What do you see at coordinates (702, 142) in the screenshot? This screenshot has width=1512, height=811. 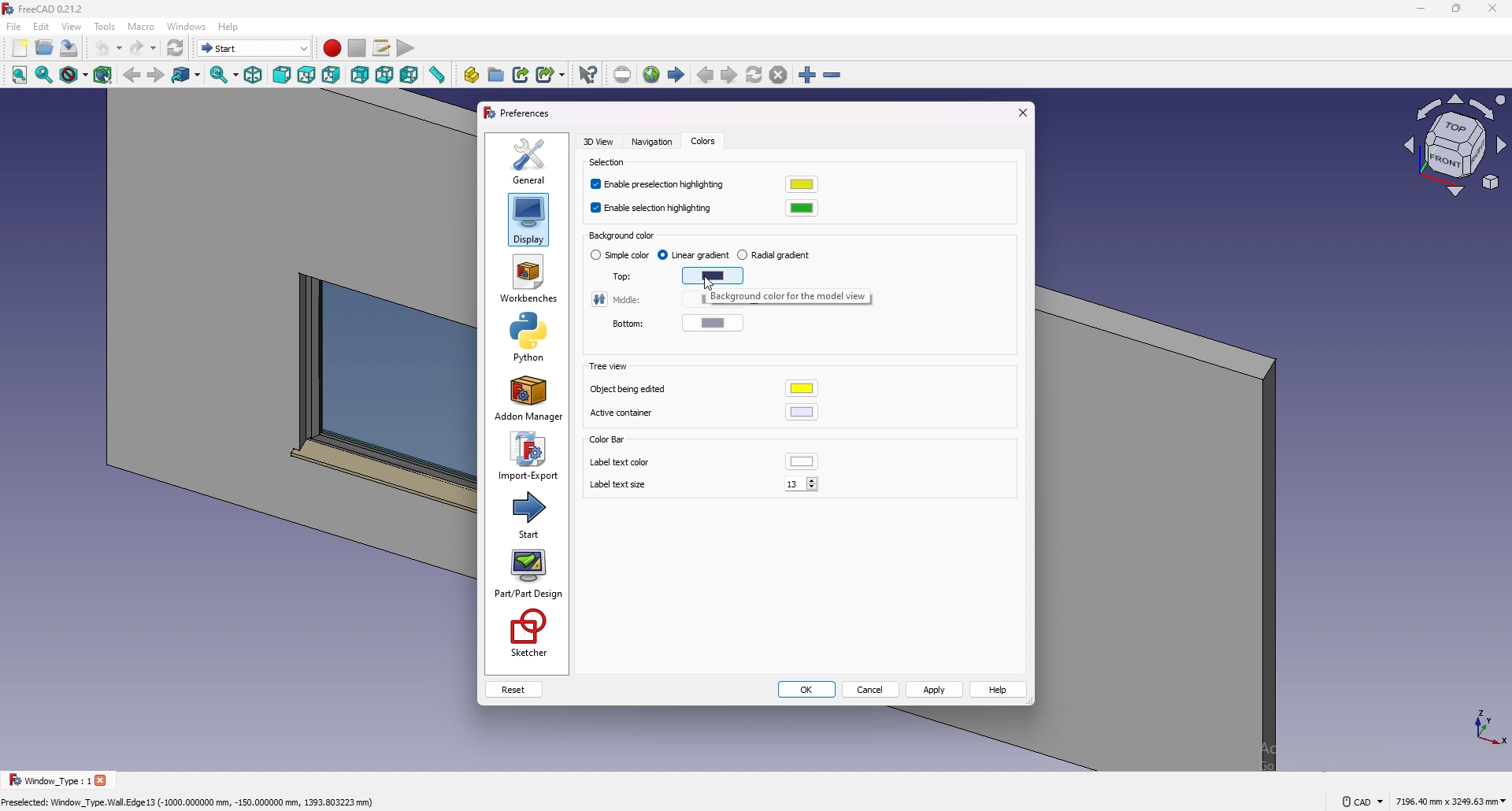 I see `colors` at bounding box center [702, 142].